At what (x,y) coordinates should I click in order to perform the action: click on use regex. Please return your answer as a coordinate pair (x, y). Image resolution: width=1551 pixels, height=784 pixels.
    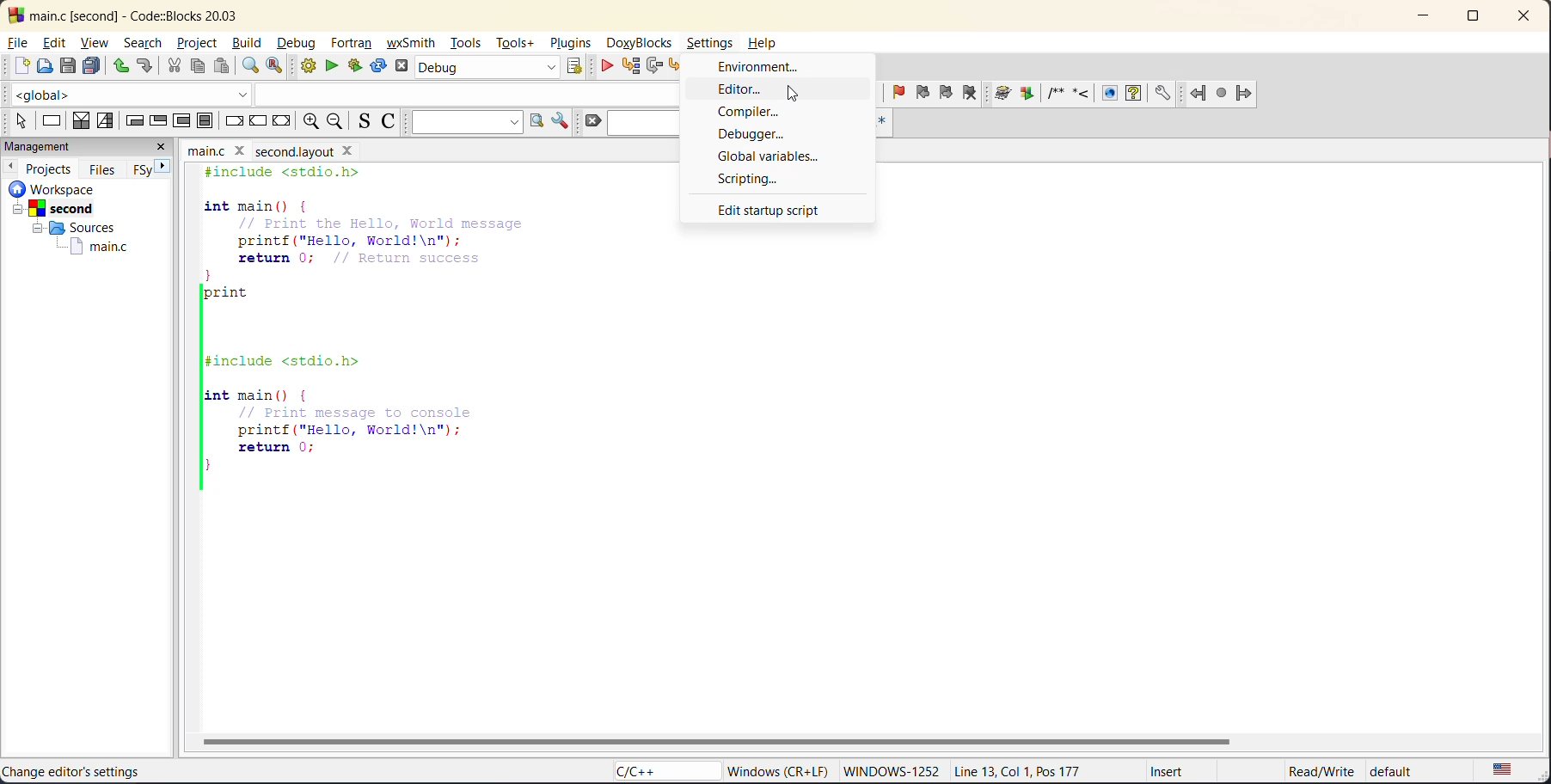
    Looking at the image, I should click on (886, 123).